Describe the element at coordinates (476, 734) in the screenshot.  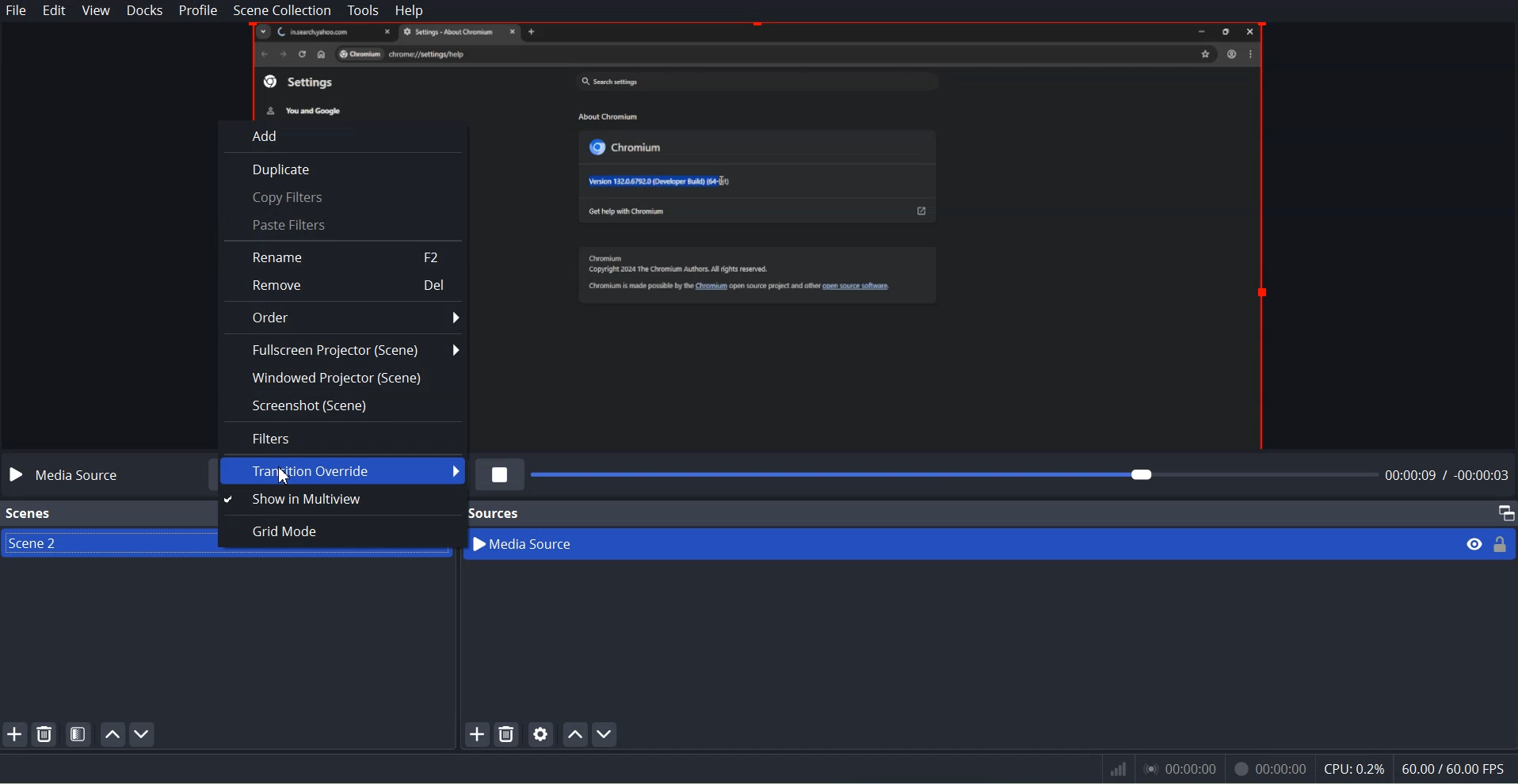
I see `add source` at that location.